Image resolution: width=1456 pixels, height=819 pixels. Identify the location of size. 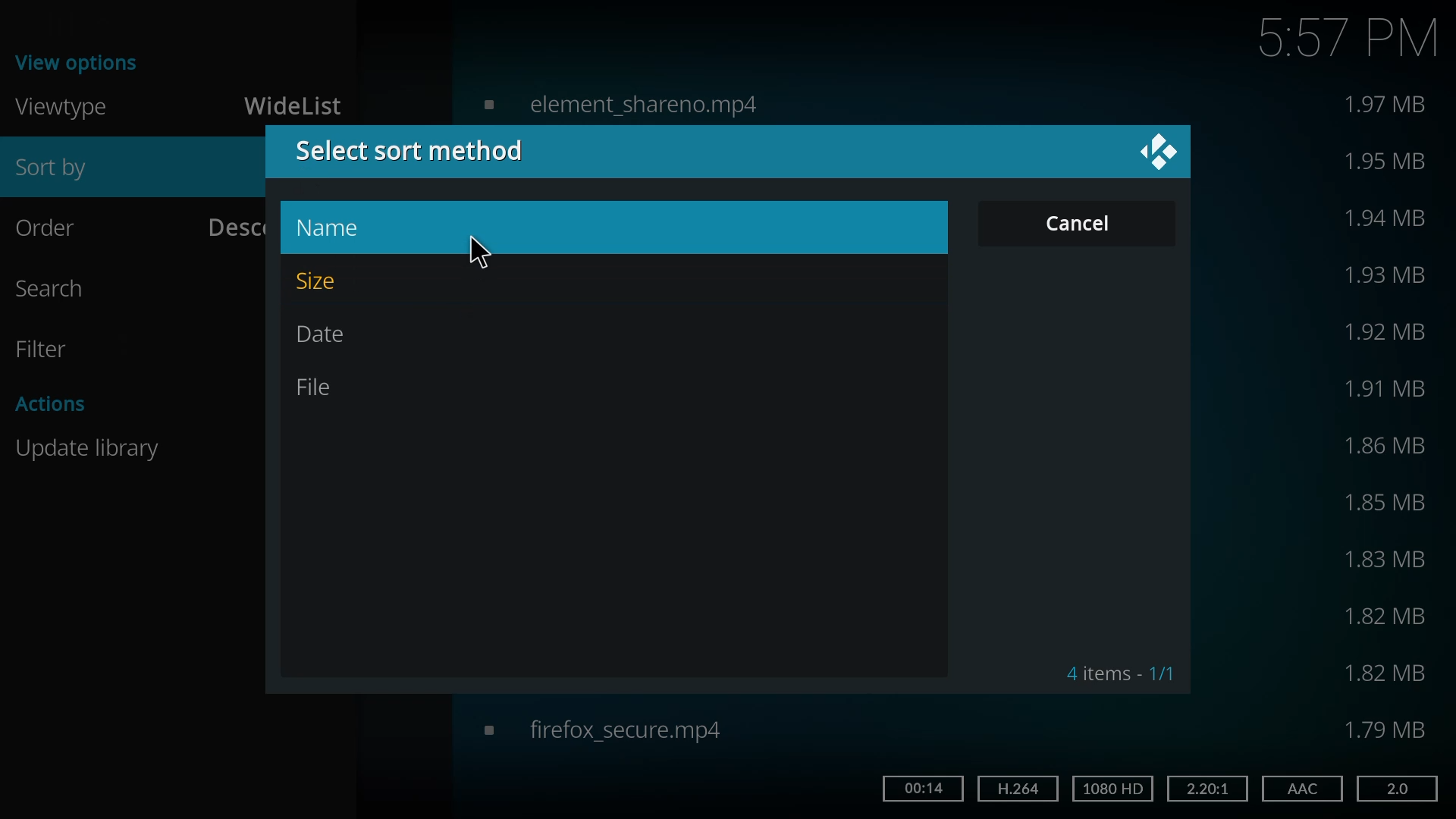
(1389, 728).